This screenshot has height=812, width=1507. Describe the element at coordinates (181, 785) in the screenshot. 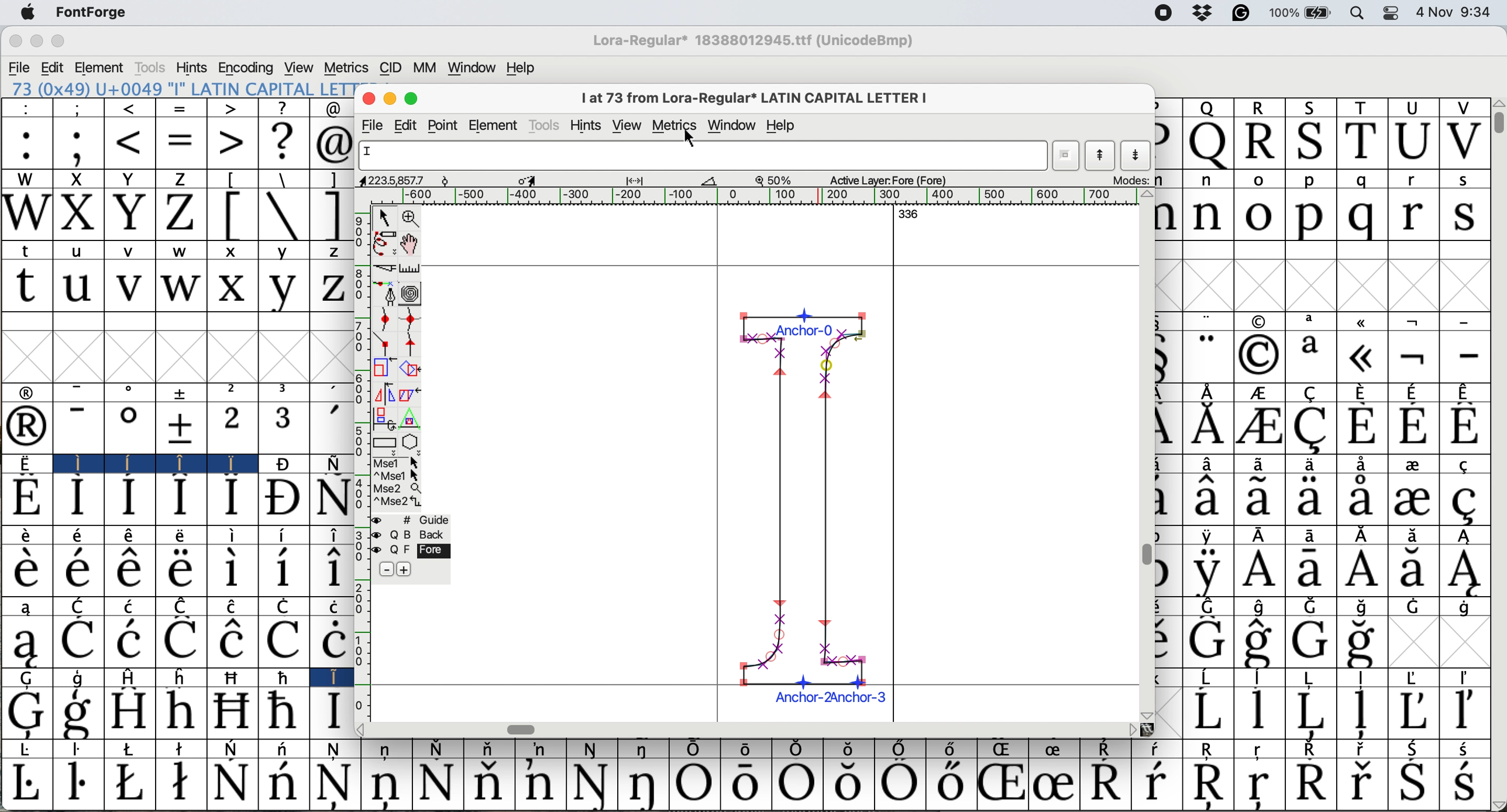

I see `Symbol` at that location.